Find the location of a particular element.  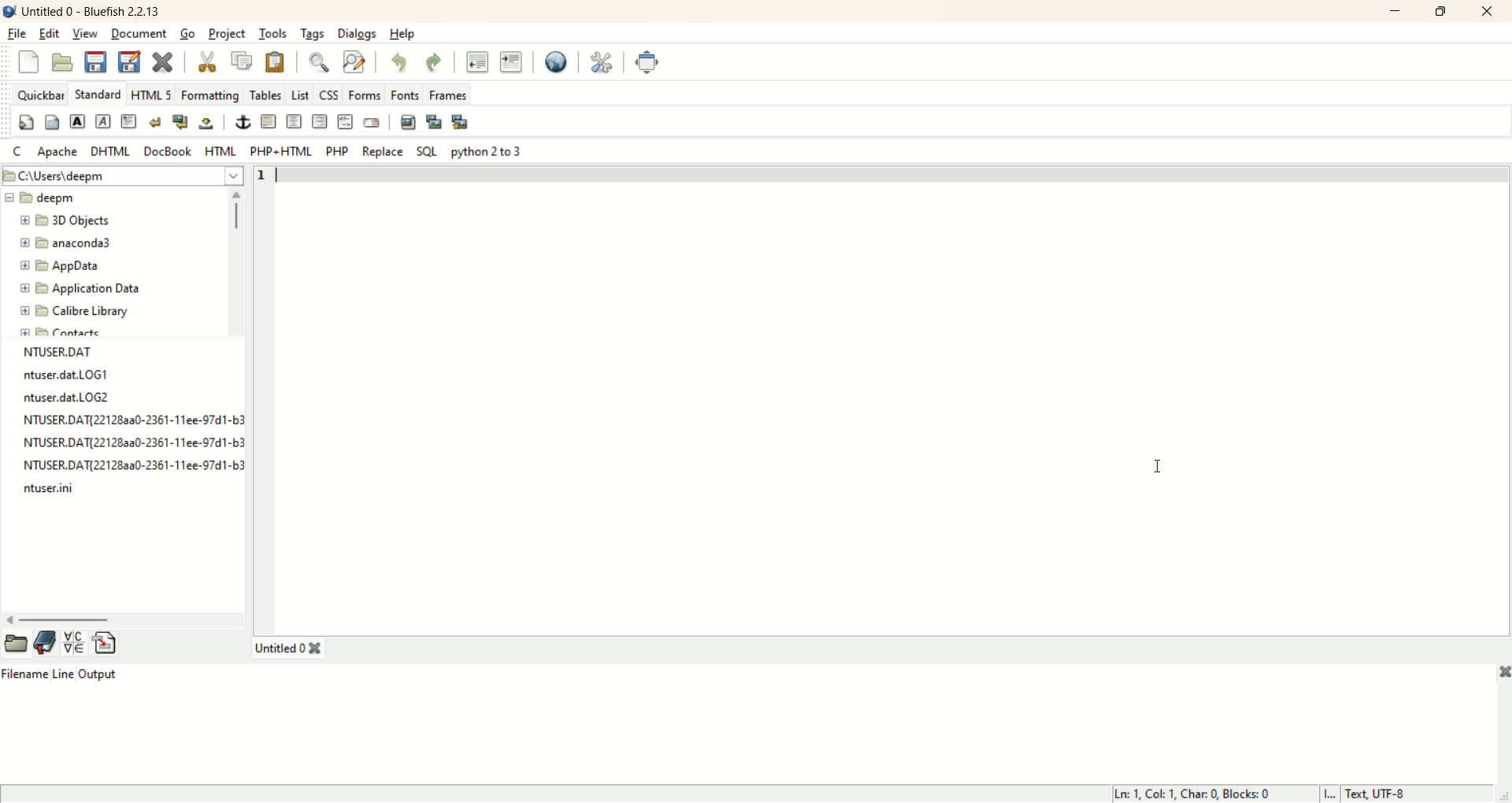

break and clean is located at coordinates (180, 124).